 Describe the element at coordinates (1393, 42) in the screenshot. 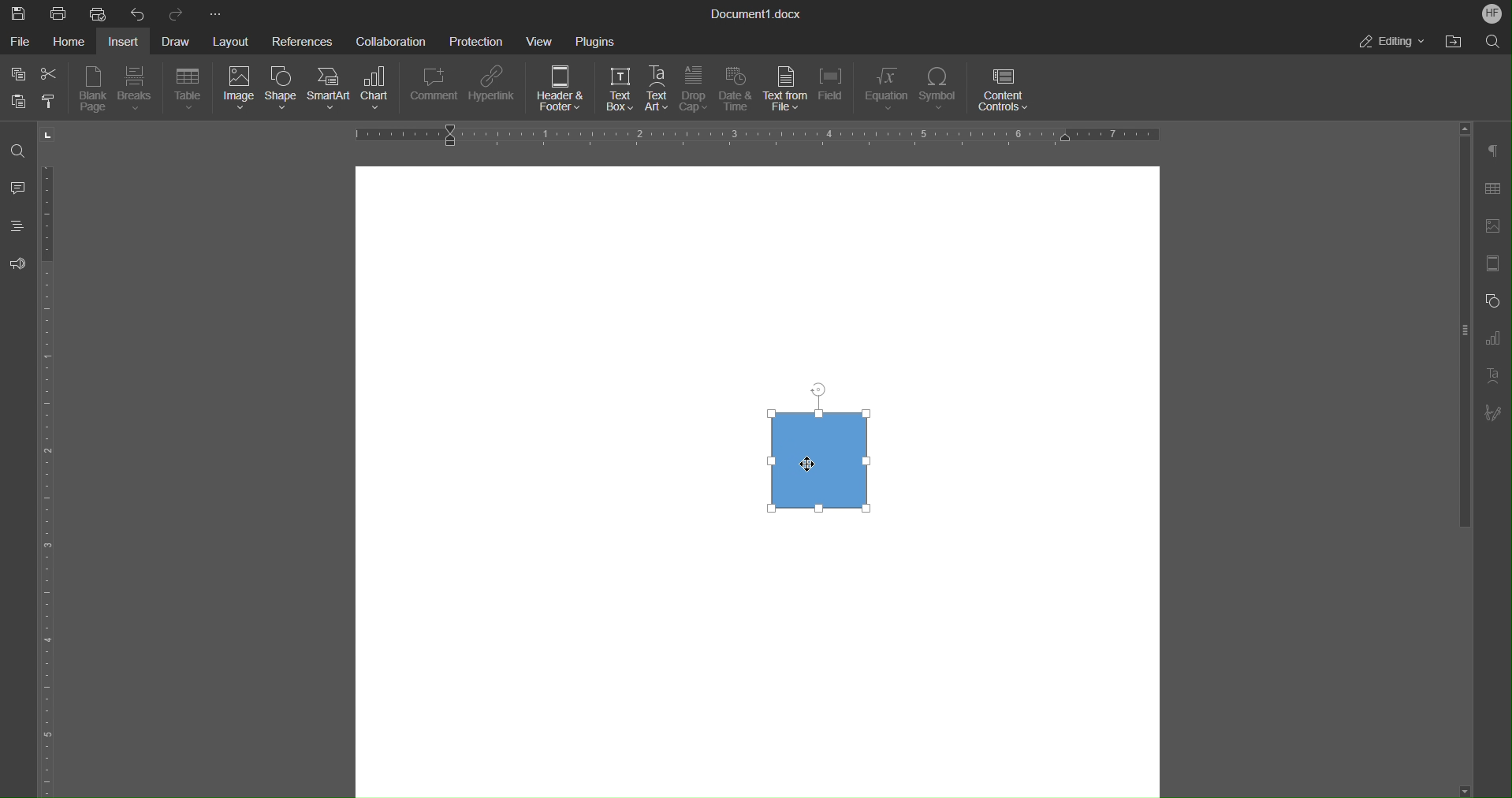

I see `Editing` at that location.